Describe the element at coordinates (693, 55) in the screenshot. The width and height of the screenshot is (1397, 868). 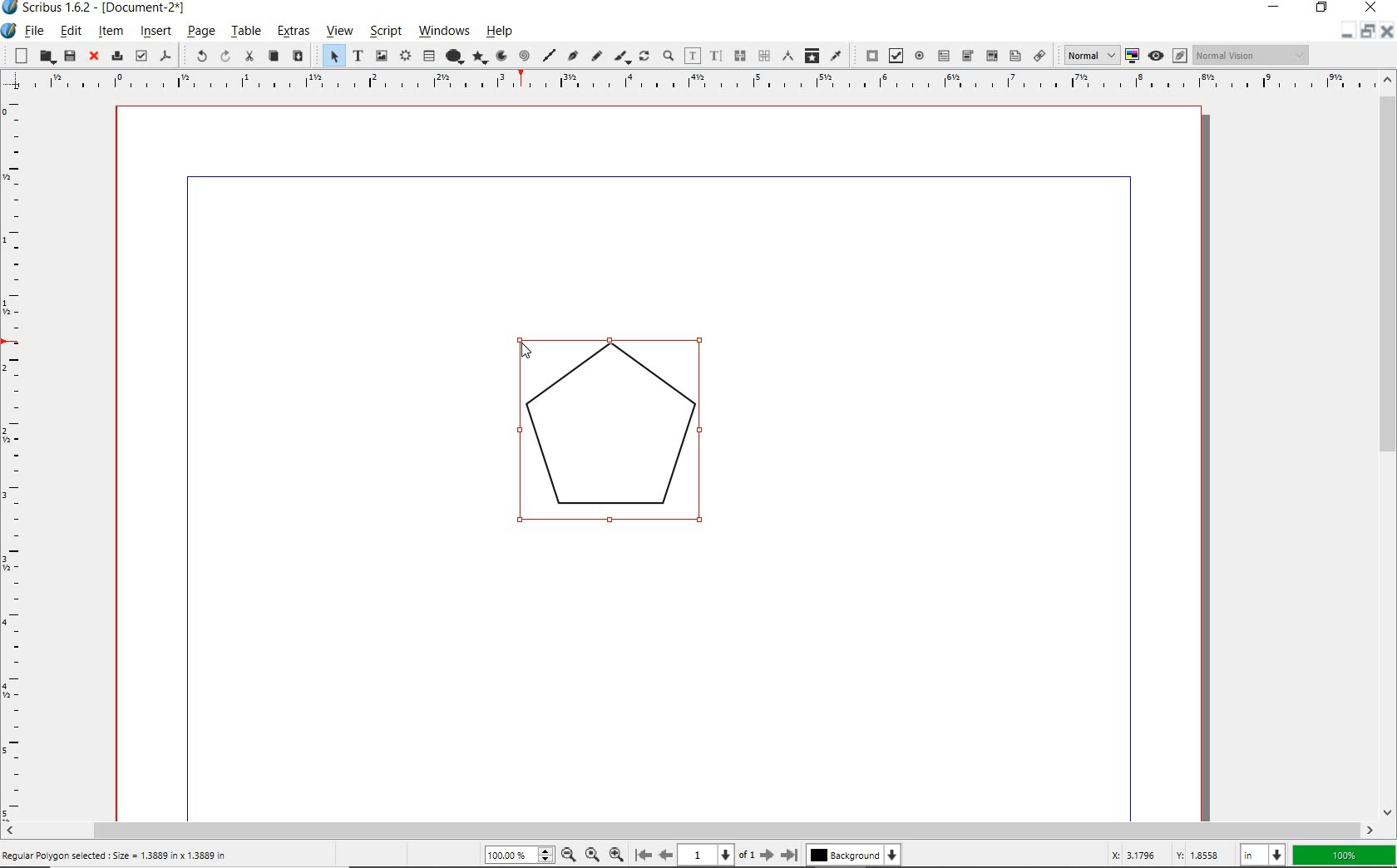
I see `edit contents of frame` at that location.